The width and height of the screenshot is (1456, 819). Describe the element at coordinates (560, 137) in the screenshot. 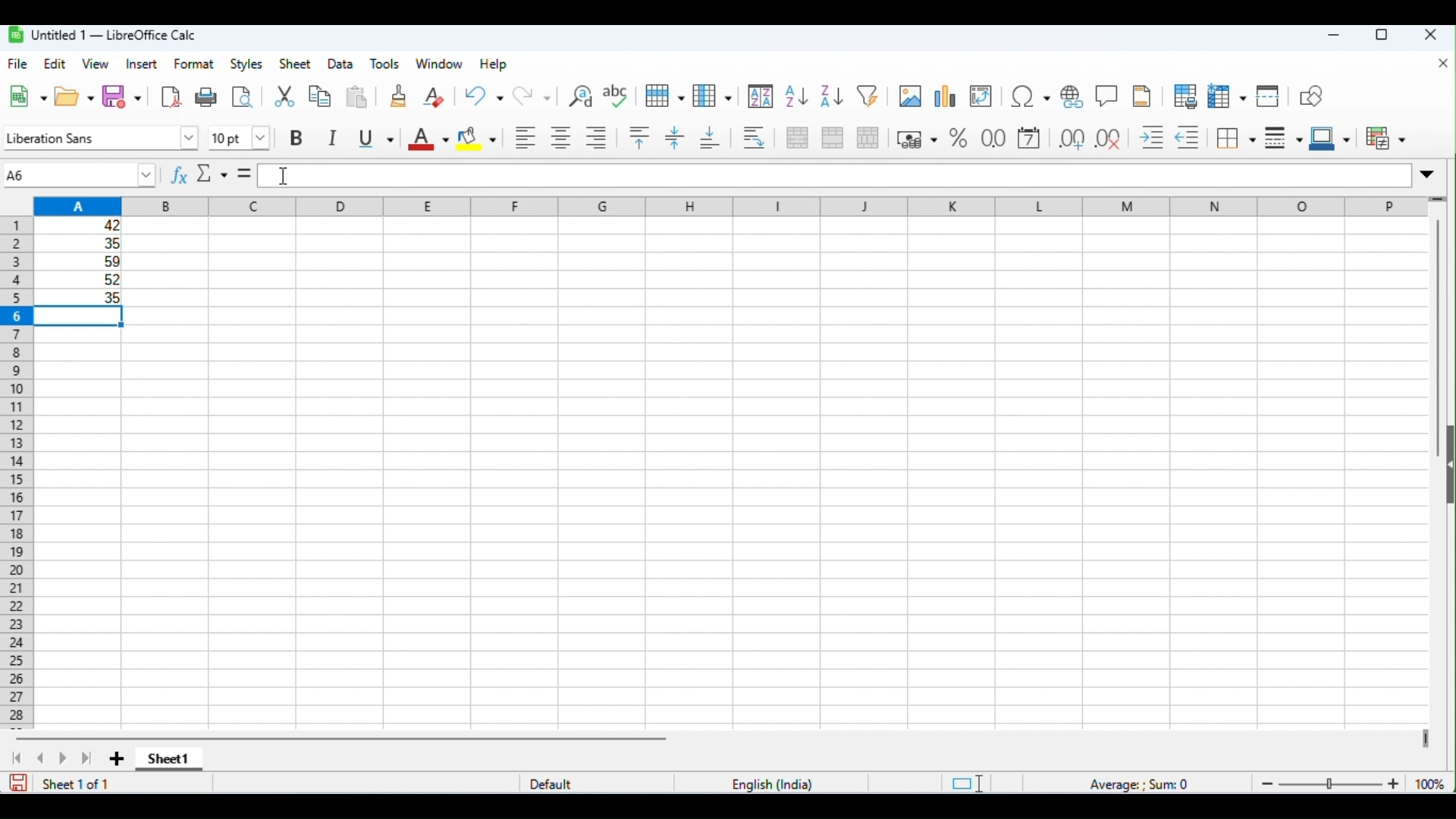

I see `align center` at that location.